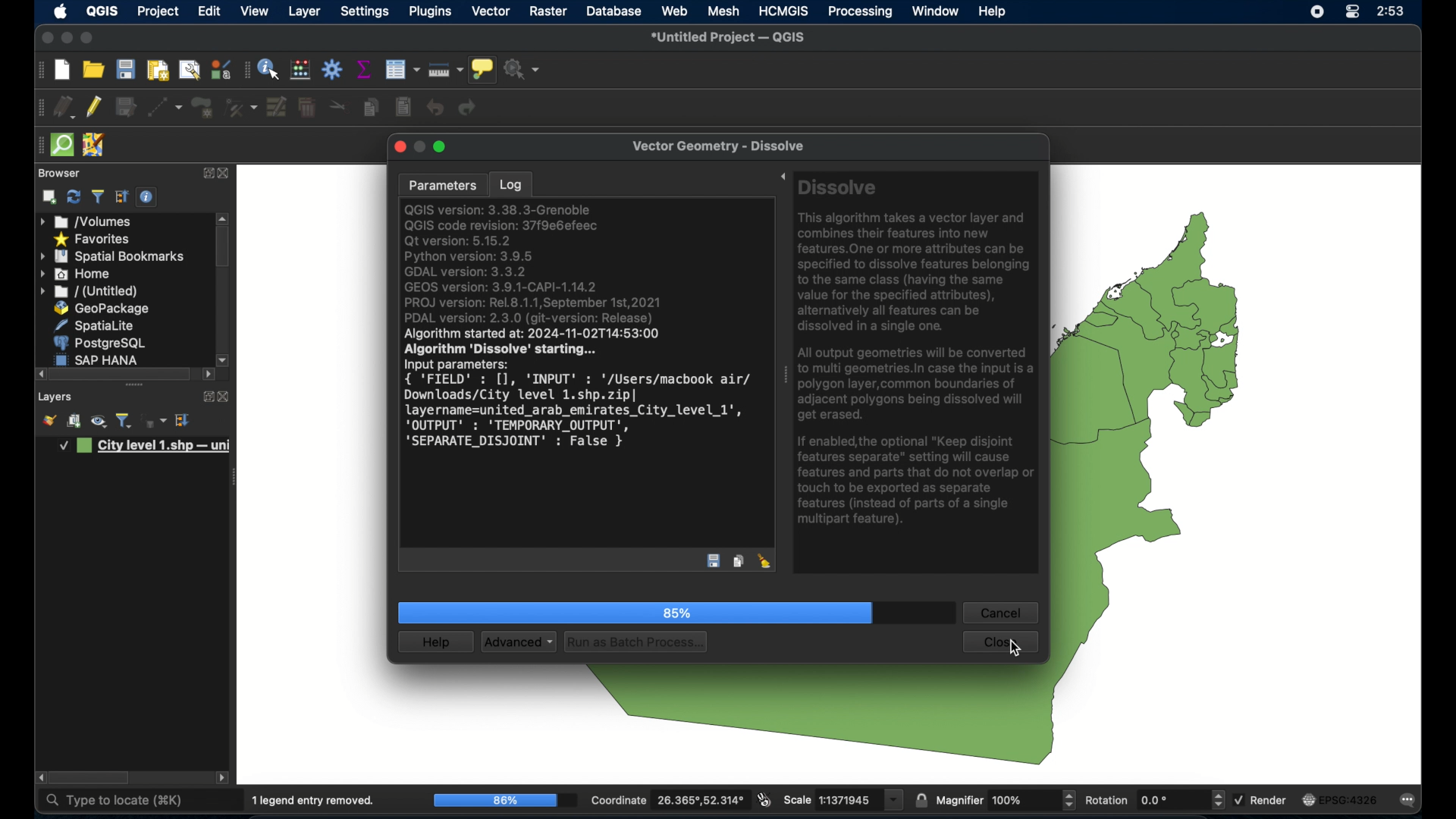 The width and height of the screenshot is (1456, 819). What do you see at coordinates (41, 108) in the screenshot?
I see `digitizing toolbar` at bounding box center [41, 108].